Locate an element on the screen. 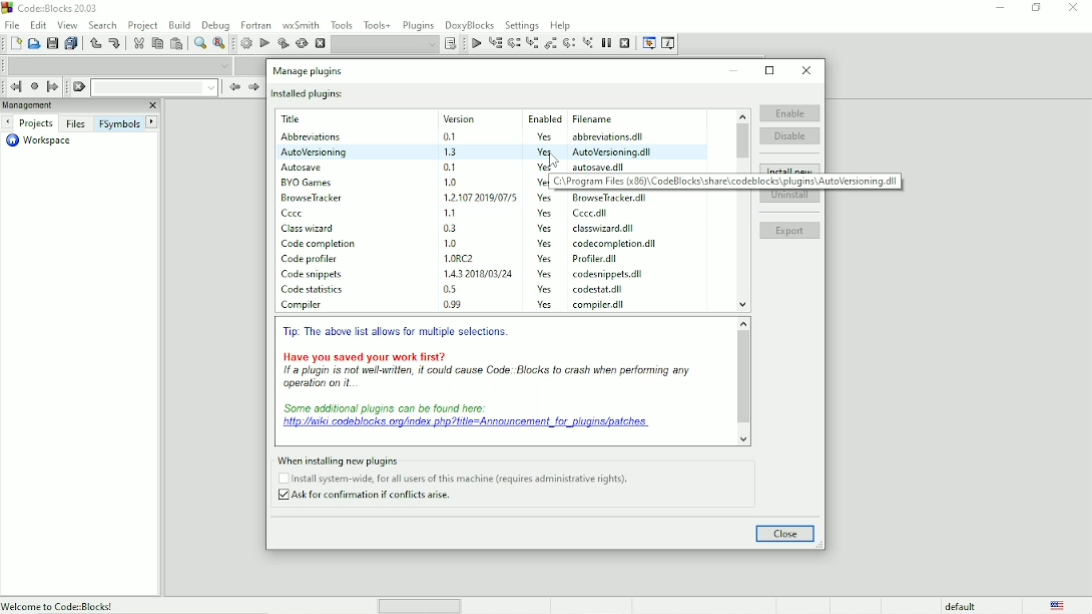 Image resolution: width=1092 pixels, height=614 pixels. Yes is located at coordinates (543, 229).